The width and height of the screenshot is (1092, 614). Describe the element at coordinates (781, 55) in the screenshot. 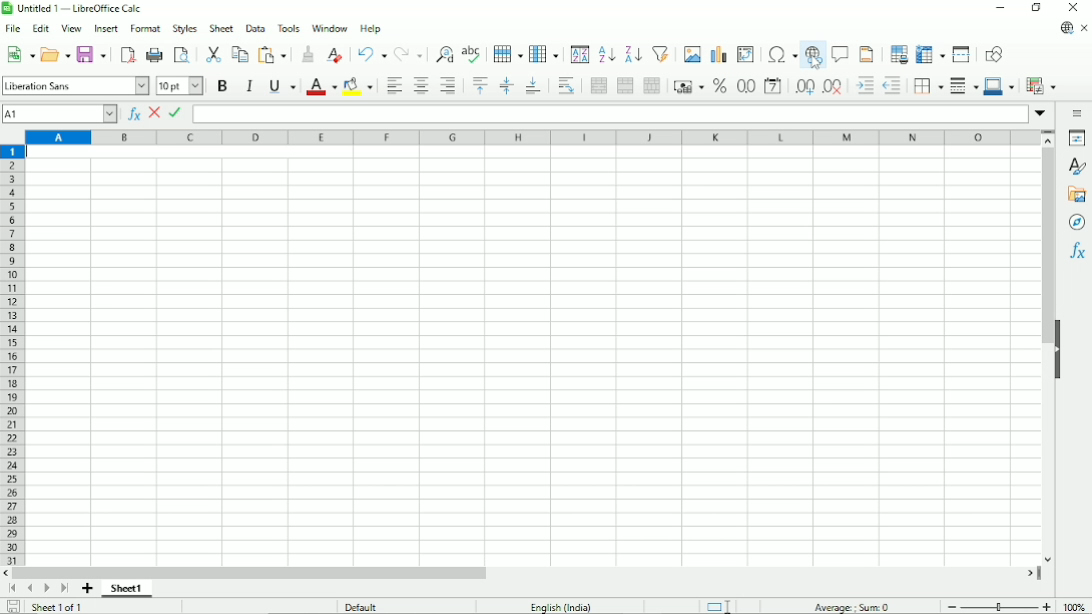

I see `Insert special characters` at that location.